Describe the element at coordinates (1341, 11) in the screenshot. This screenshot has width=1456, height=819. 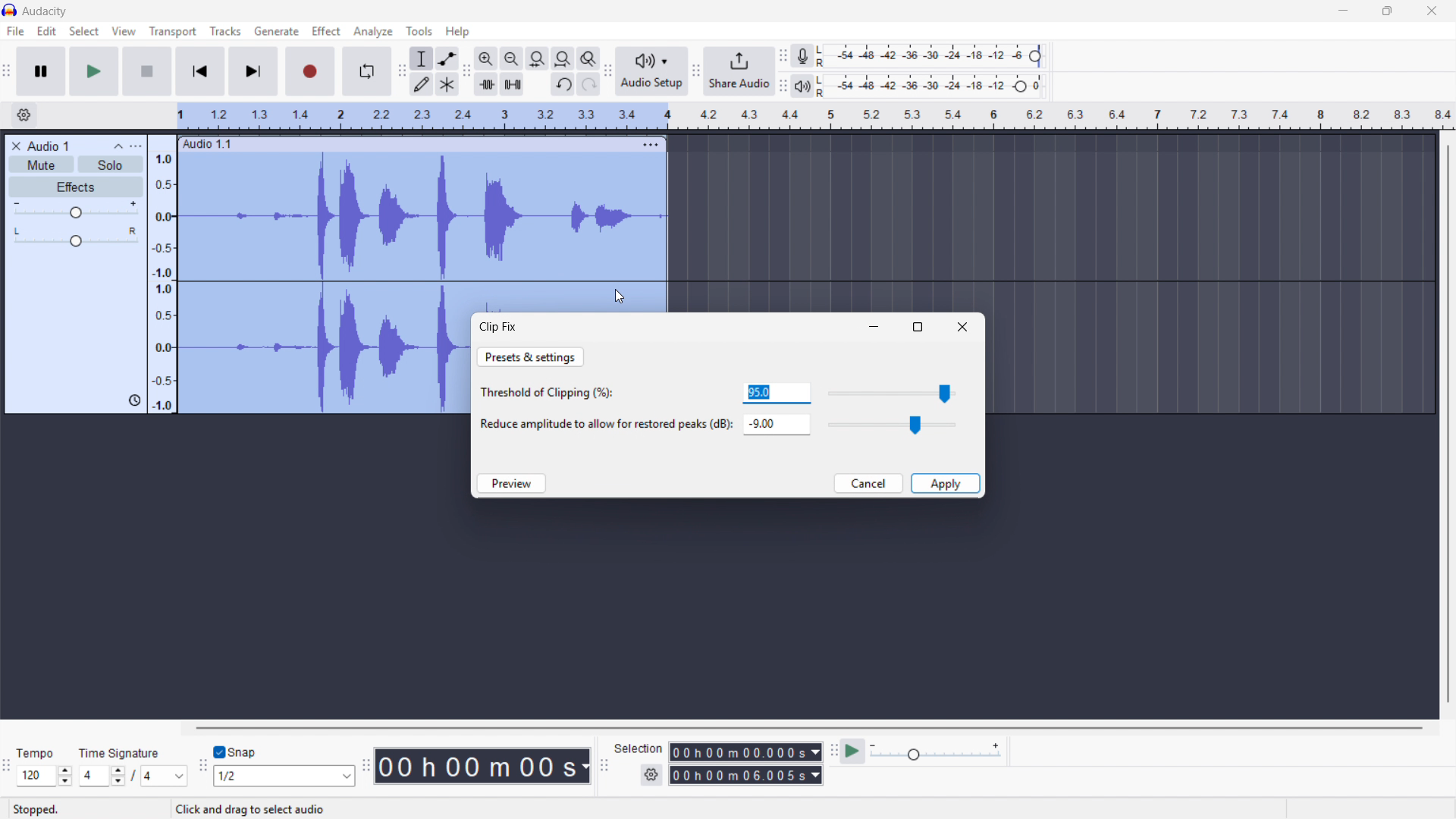
I see `minimise` at that location.